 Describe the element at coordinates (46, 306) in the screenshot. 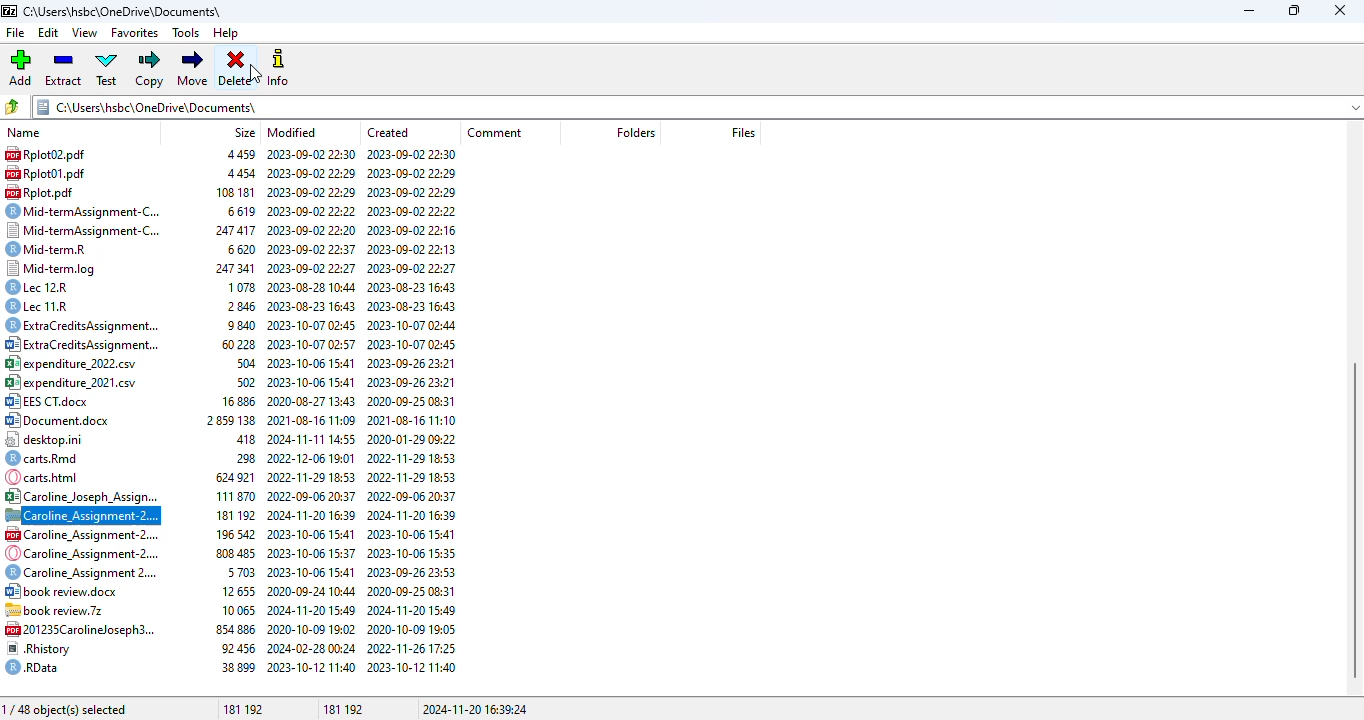

I see ` Lec 11.R` at that location.